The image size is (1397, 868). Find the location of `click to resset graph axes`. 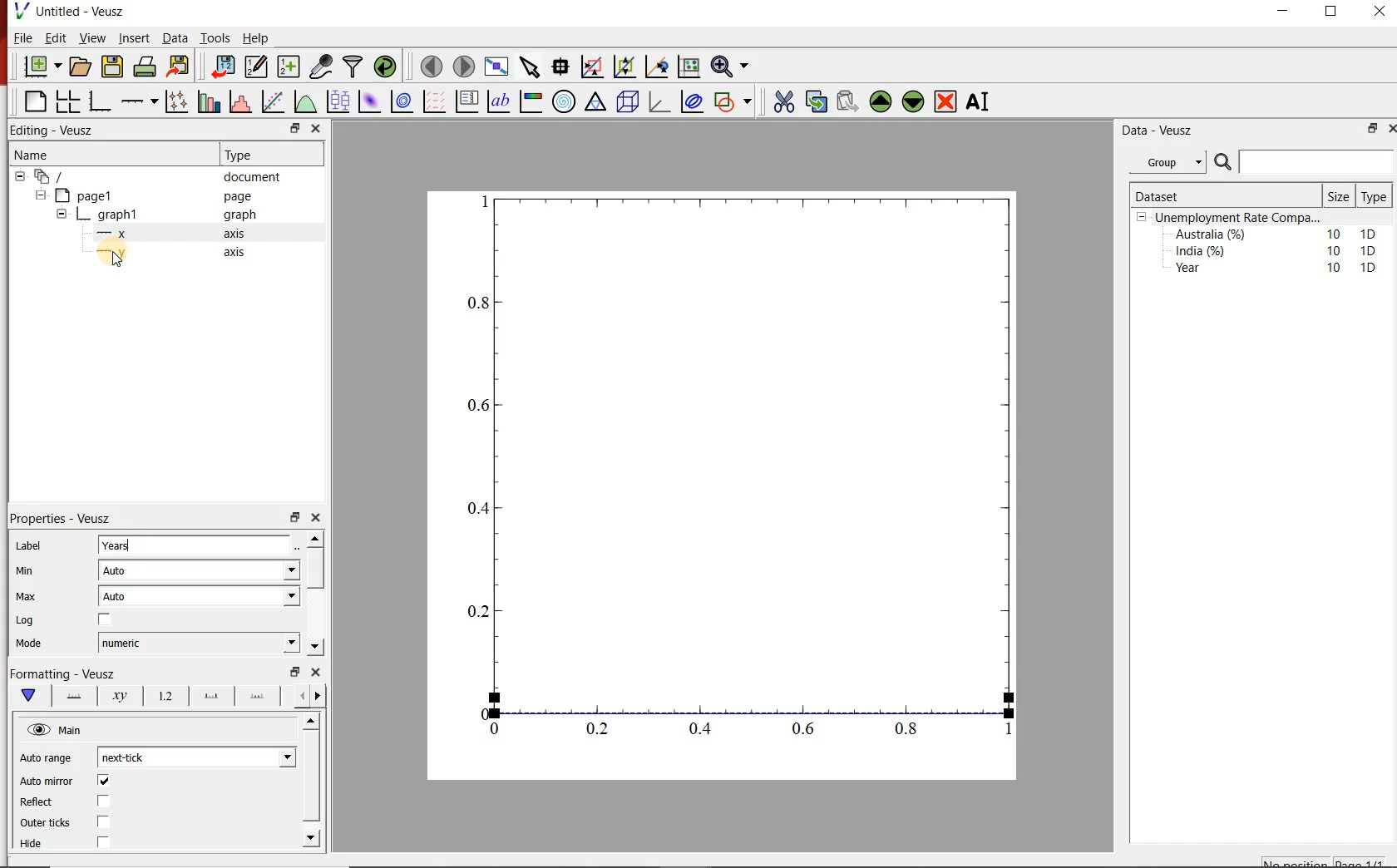

click to resset graph axes is located at coordinates (689, 65).